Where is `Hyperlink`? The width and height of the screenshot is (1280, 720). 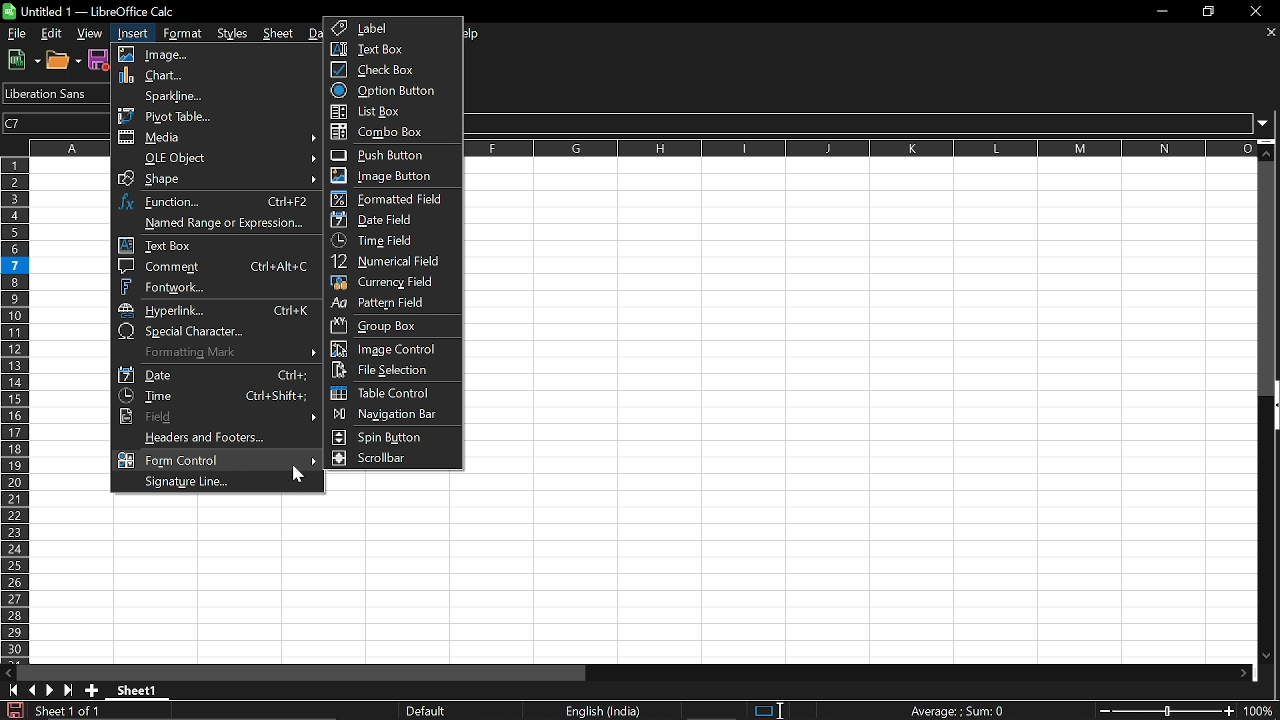
Hyperlink is located at coordinates (215, 311).